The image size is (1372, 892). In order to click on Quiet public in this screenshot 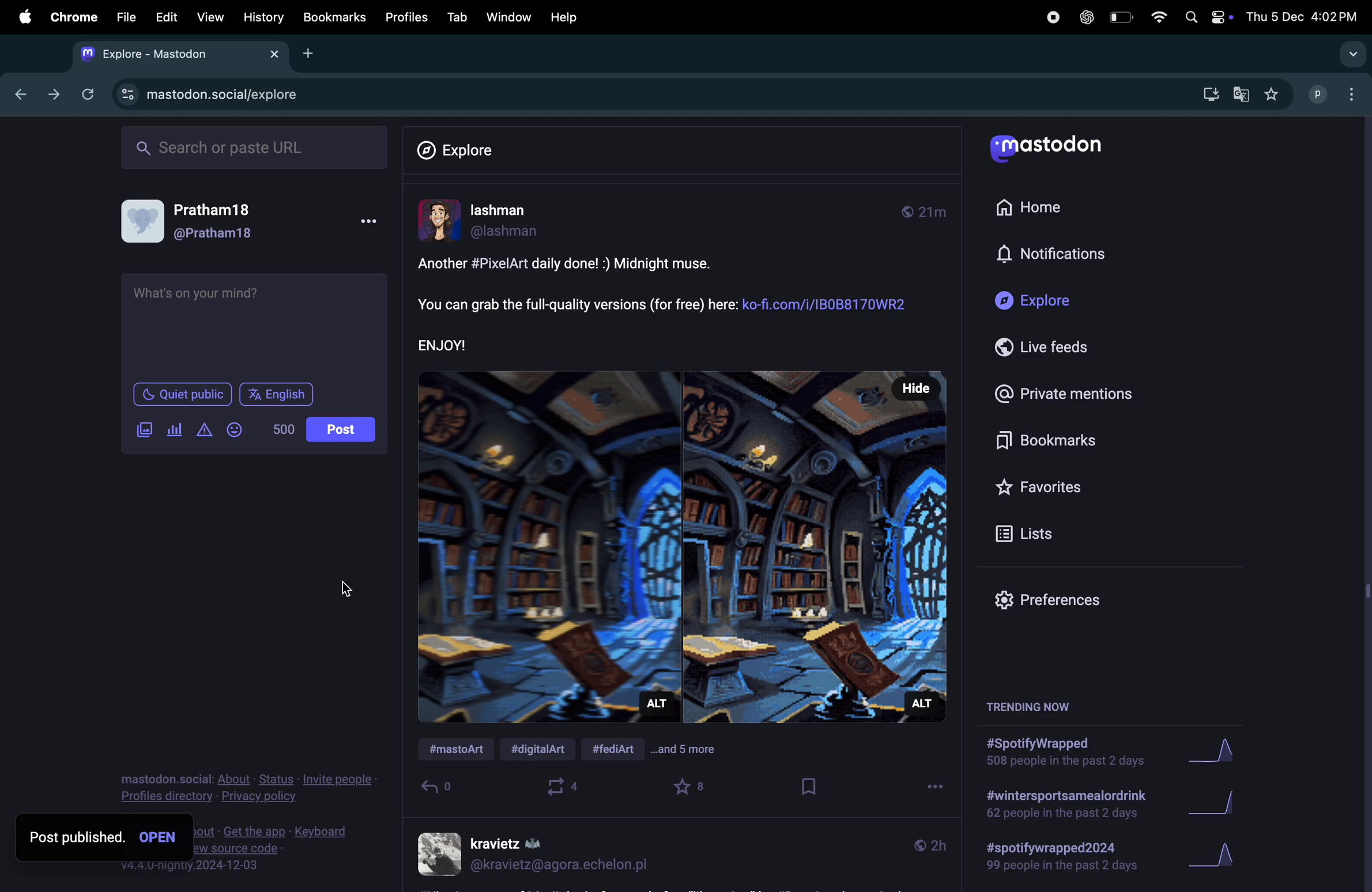, I will do `click(184, 395)`.